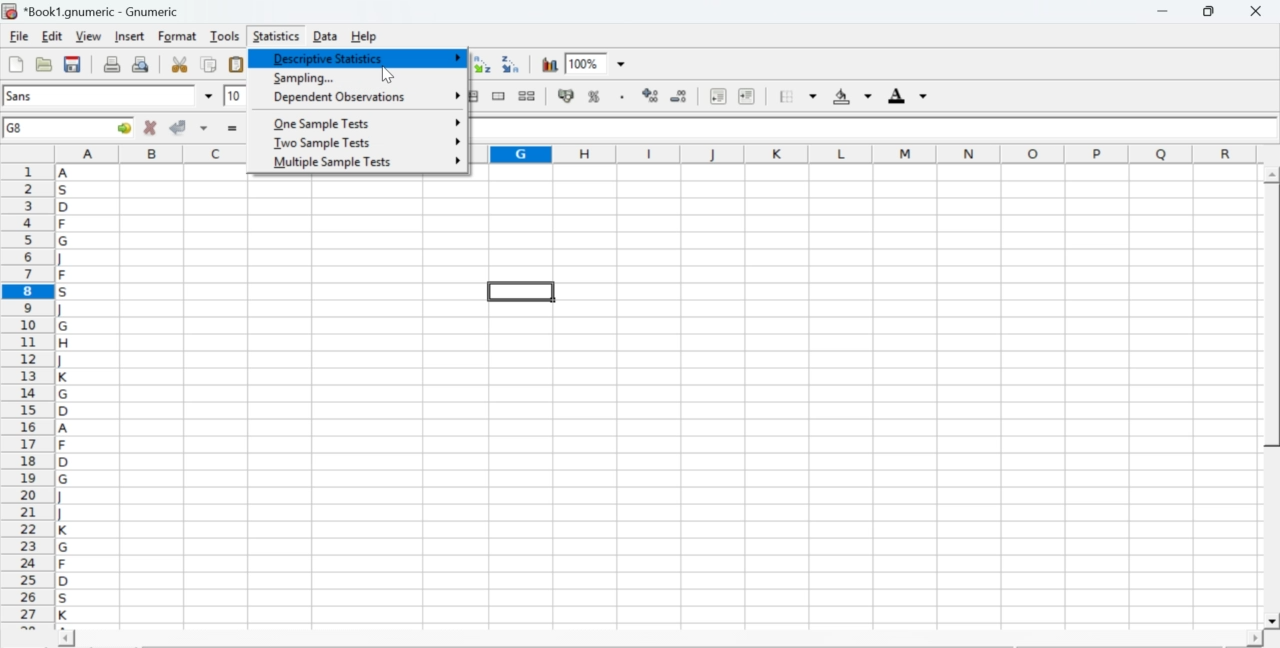 The width and height of the screenshot is (1280, 648). I want to click on insert hyperlink, so click(399, 64).